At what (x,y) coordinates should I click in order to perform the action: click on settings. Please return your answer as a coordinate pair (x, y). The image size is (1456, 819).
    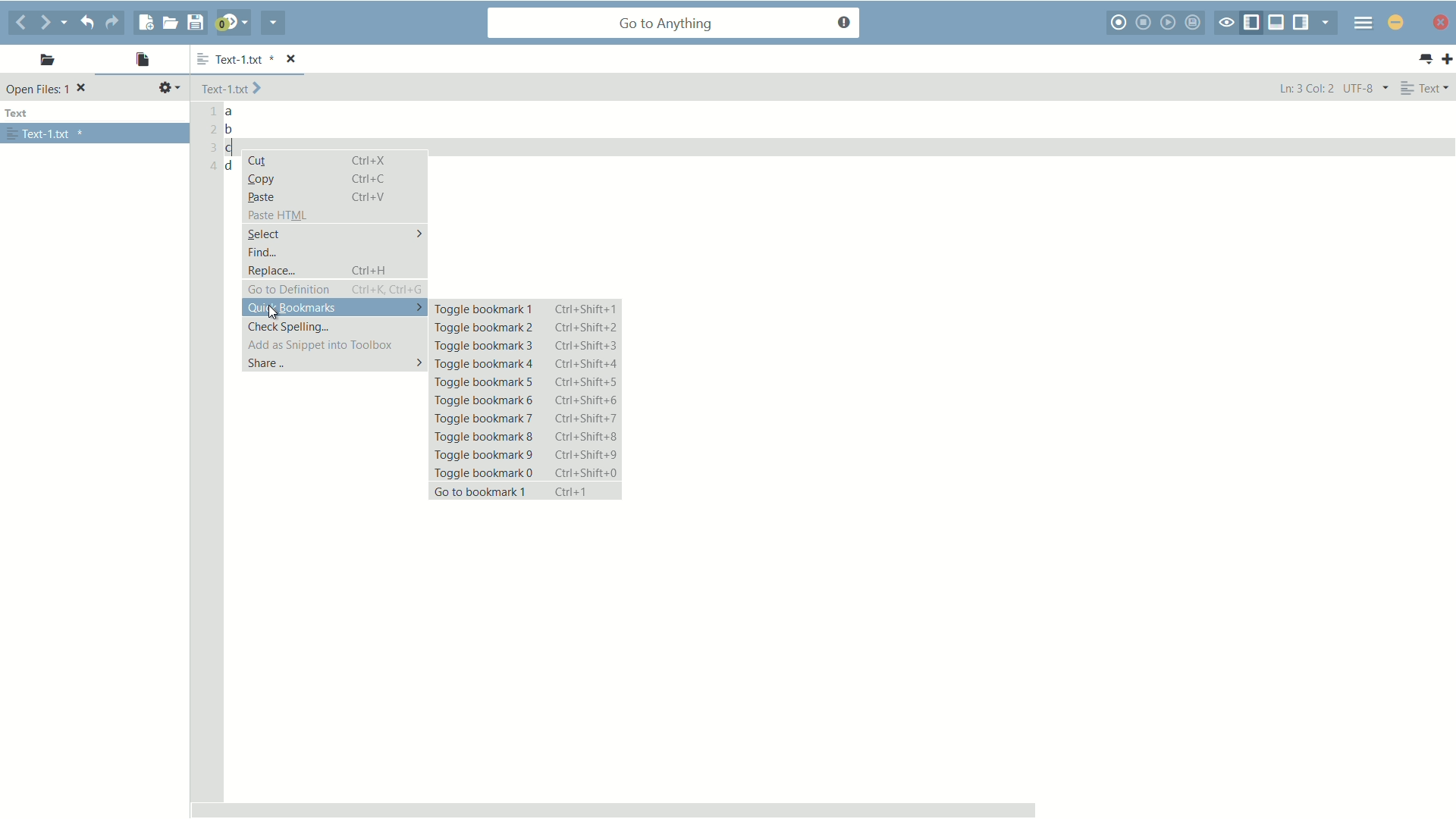
    Looking at the image, I should click on (169, 88).